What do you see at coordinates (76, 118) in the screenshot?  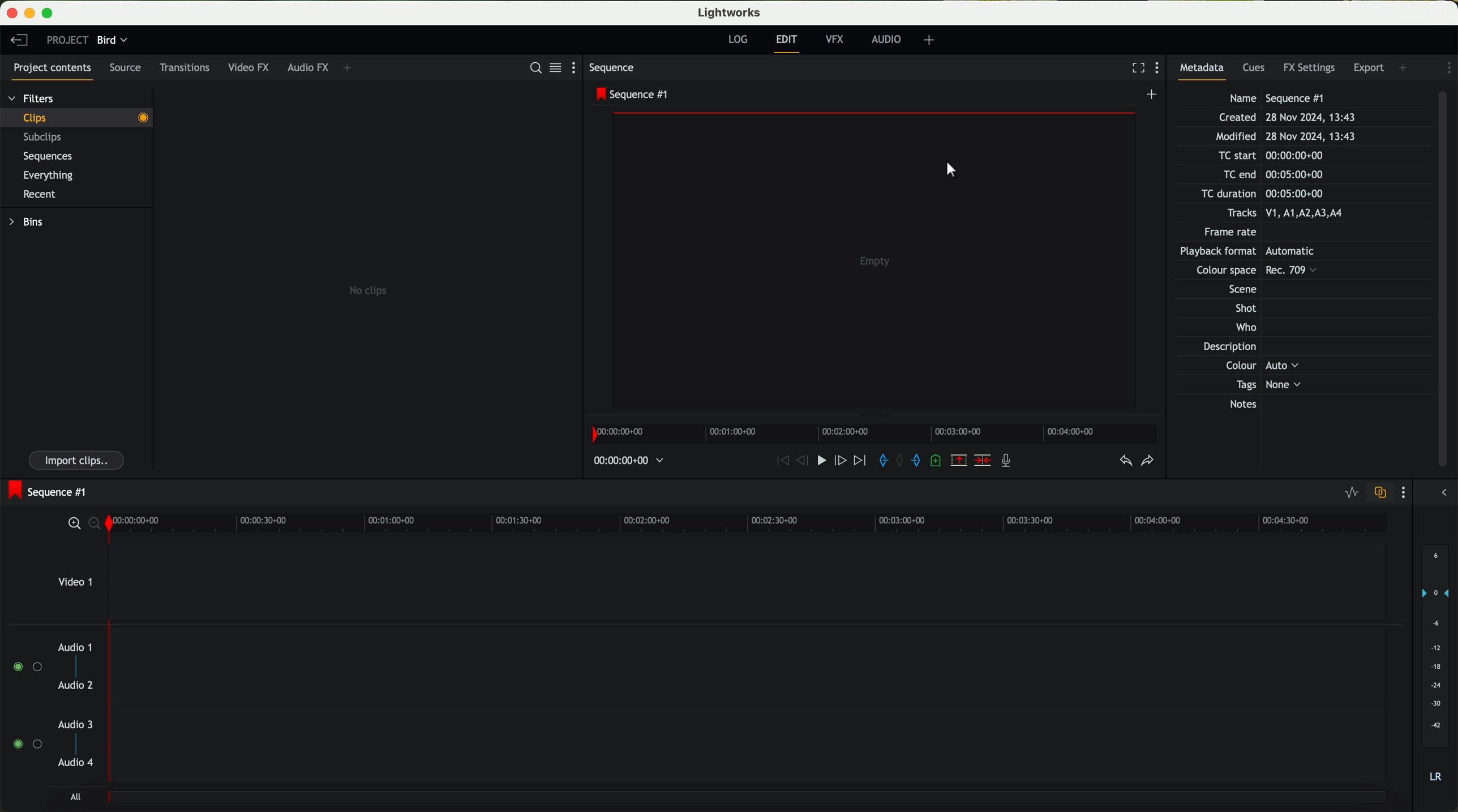 I see `clips` at bounding box center [76, 118].